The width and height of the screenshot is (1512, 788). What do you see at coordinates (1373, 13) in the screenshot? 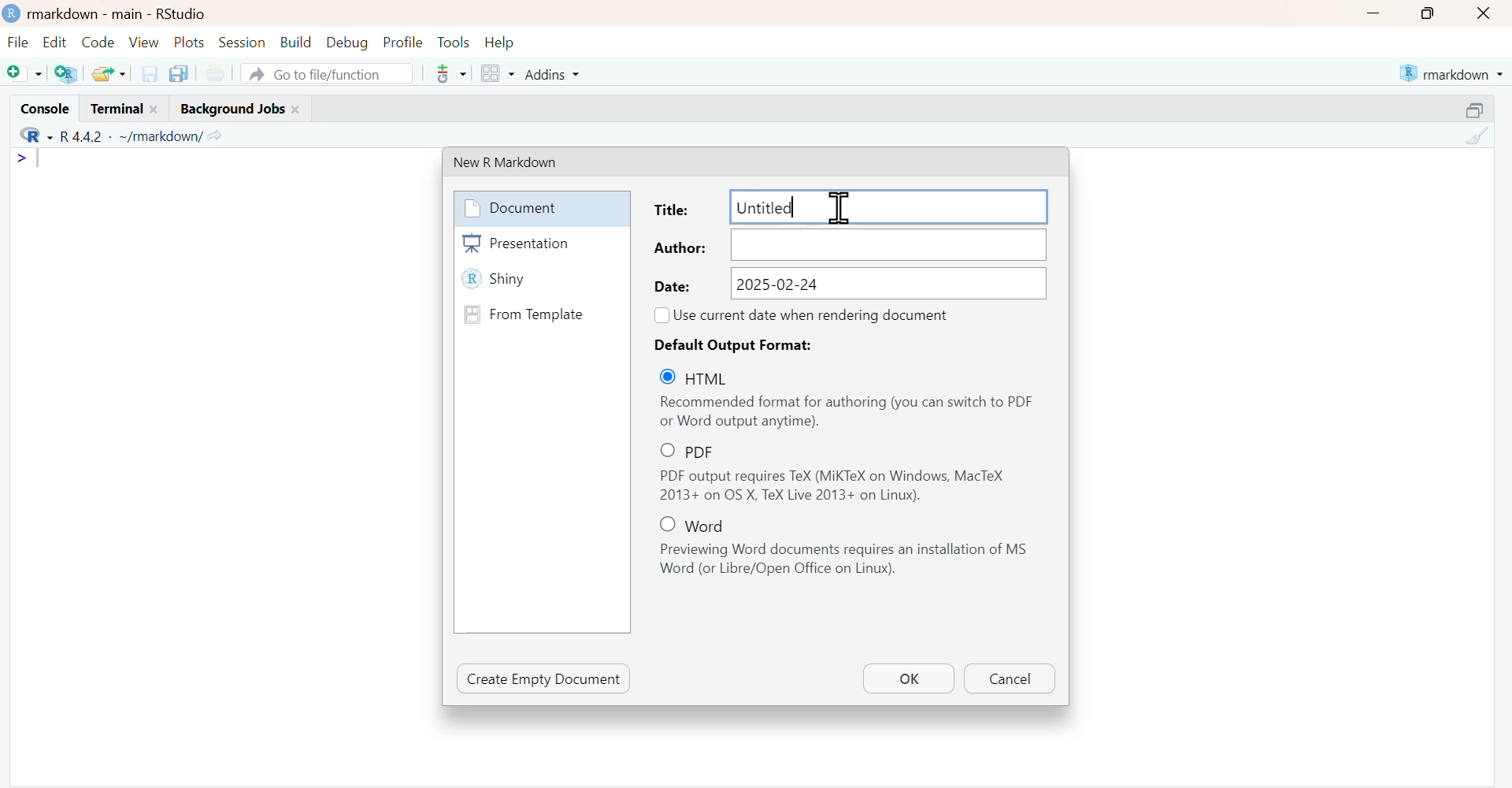
I see `minimize` at bounding box center [1373, 13].